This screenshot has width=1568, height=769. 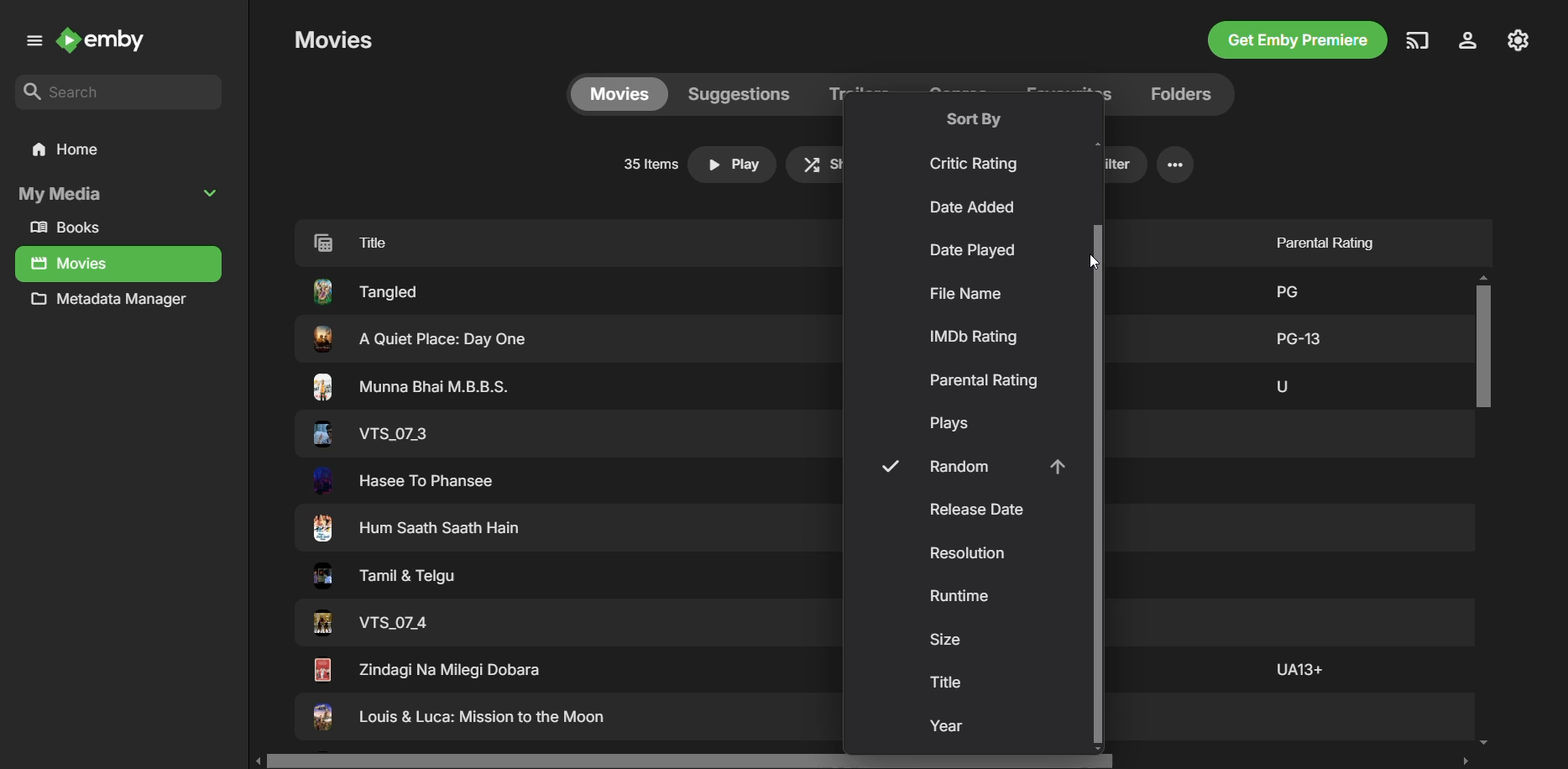 I want to click on Plays, so click(x=954, y=425).